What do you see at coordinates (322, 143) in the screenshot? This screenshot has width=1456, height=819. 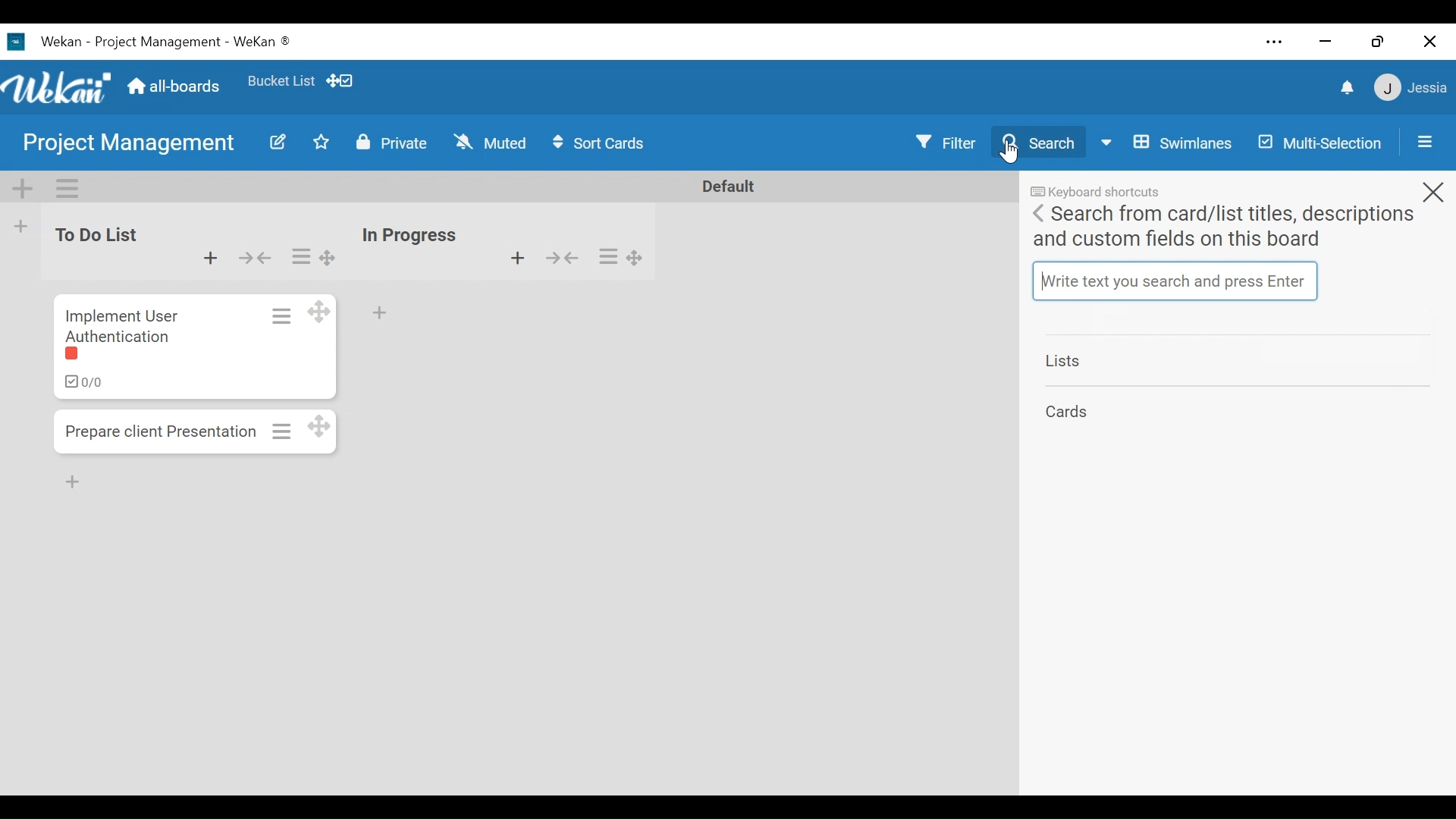 I see `Toggle favorite` at bounding box center [322, 143].